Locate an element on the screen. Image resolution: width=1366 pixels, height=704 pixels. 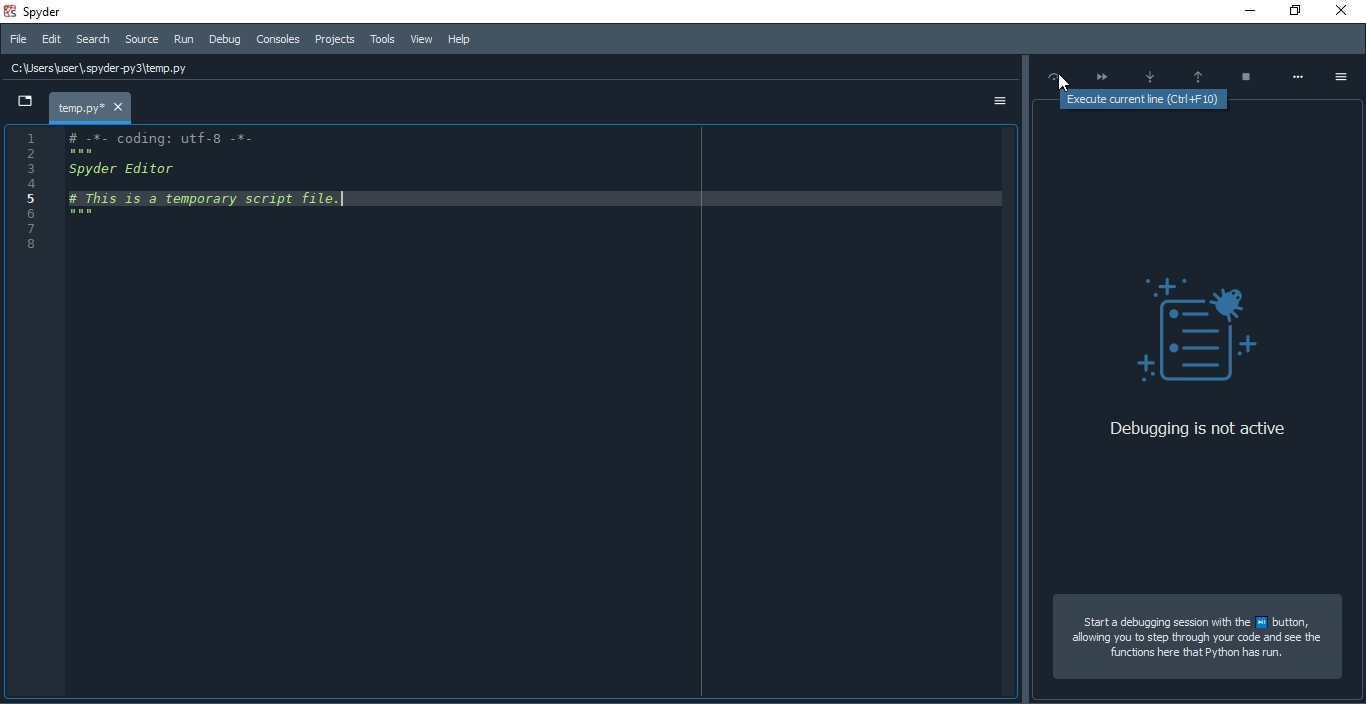
close is located at coordinates (1346, 11).